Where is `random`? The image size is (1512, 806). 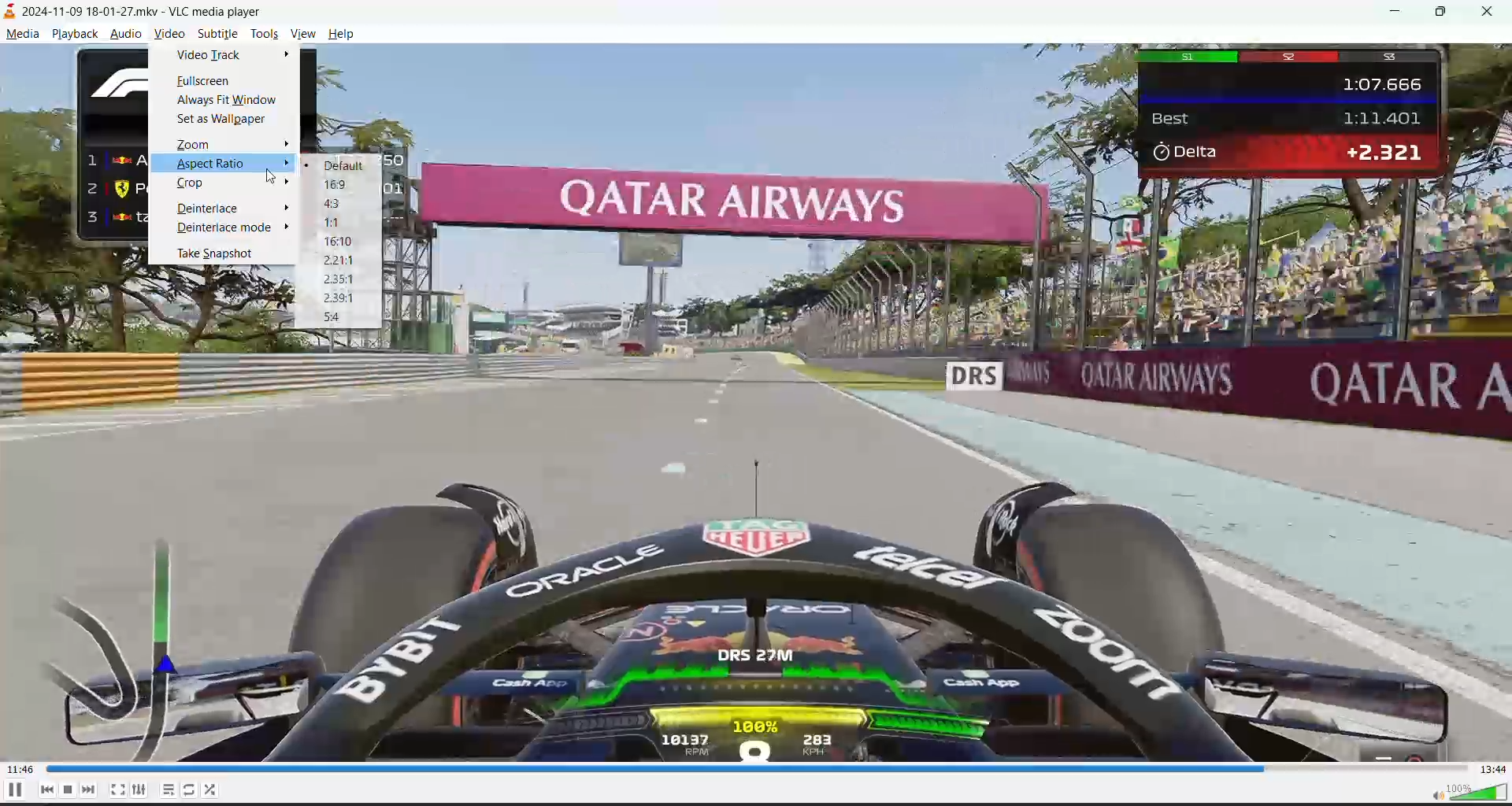 random is located at coordinates (215, 789).